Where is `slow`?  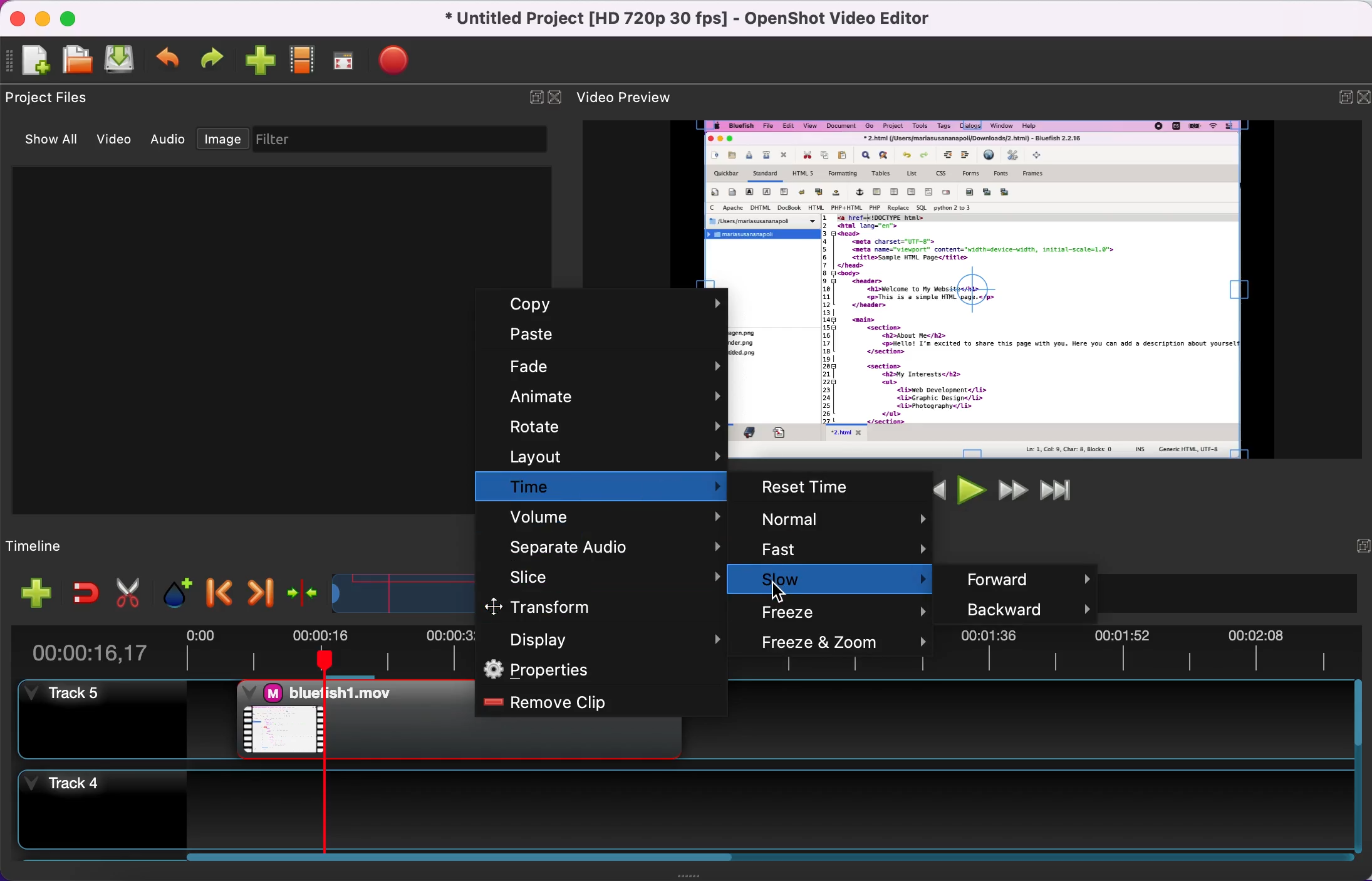 slow is located at coordinates (846, 579).